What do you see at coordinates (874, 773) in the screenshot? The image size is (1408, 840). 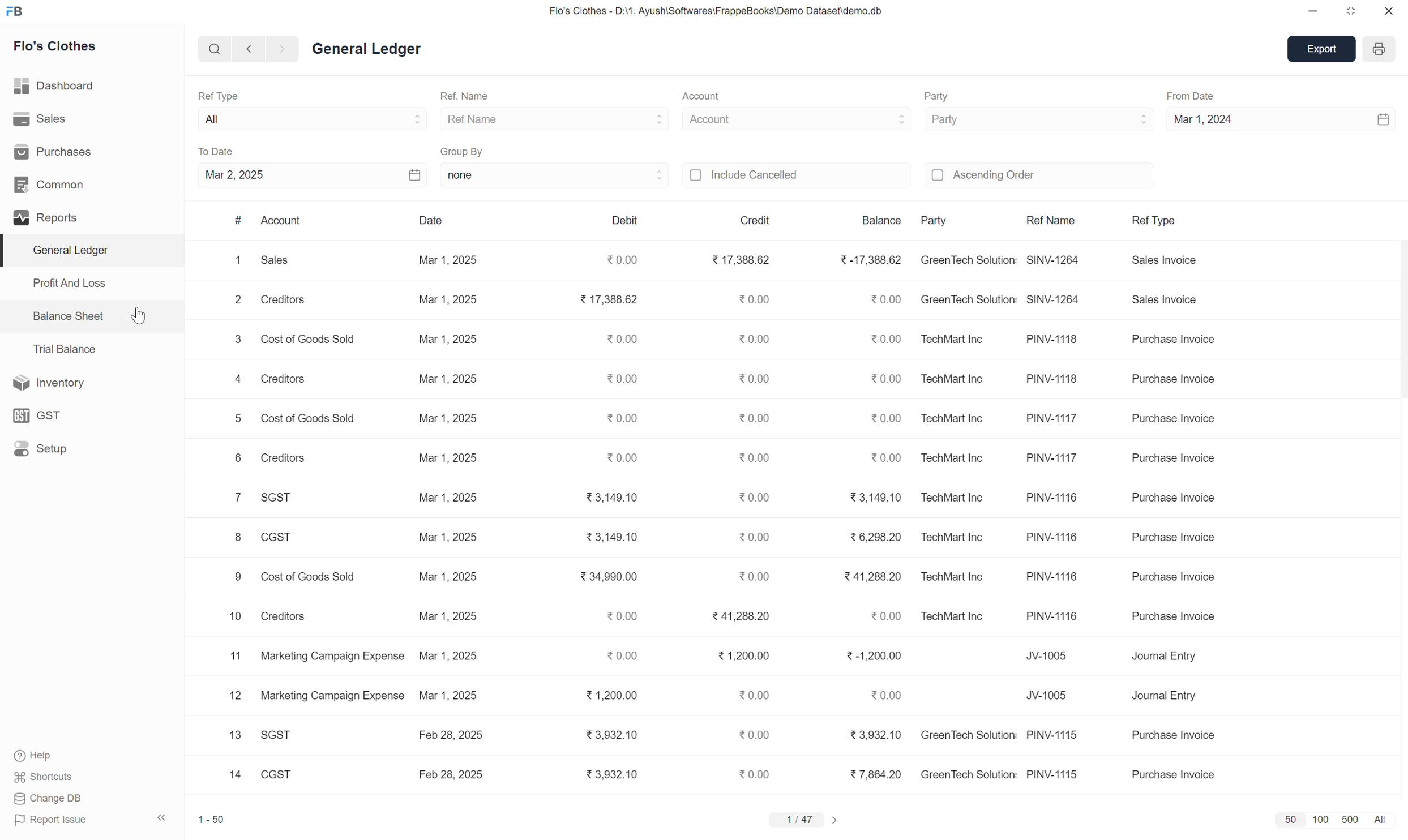 I see `7,864.20` at bounding box center [874, 773].